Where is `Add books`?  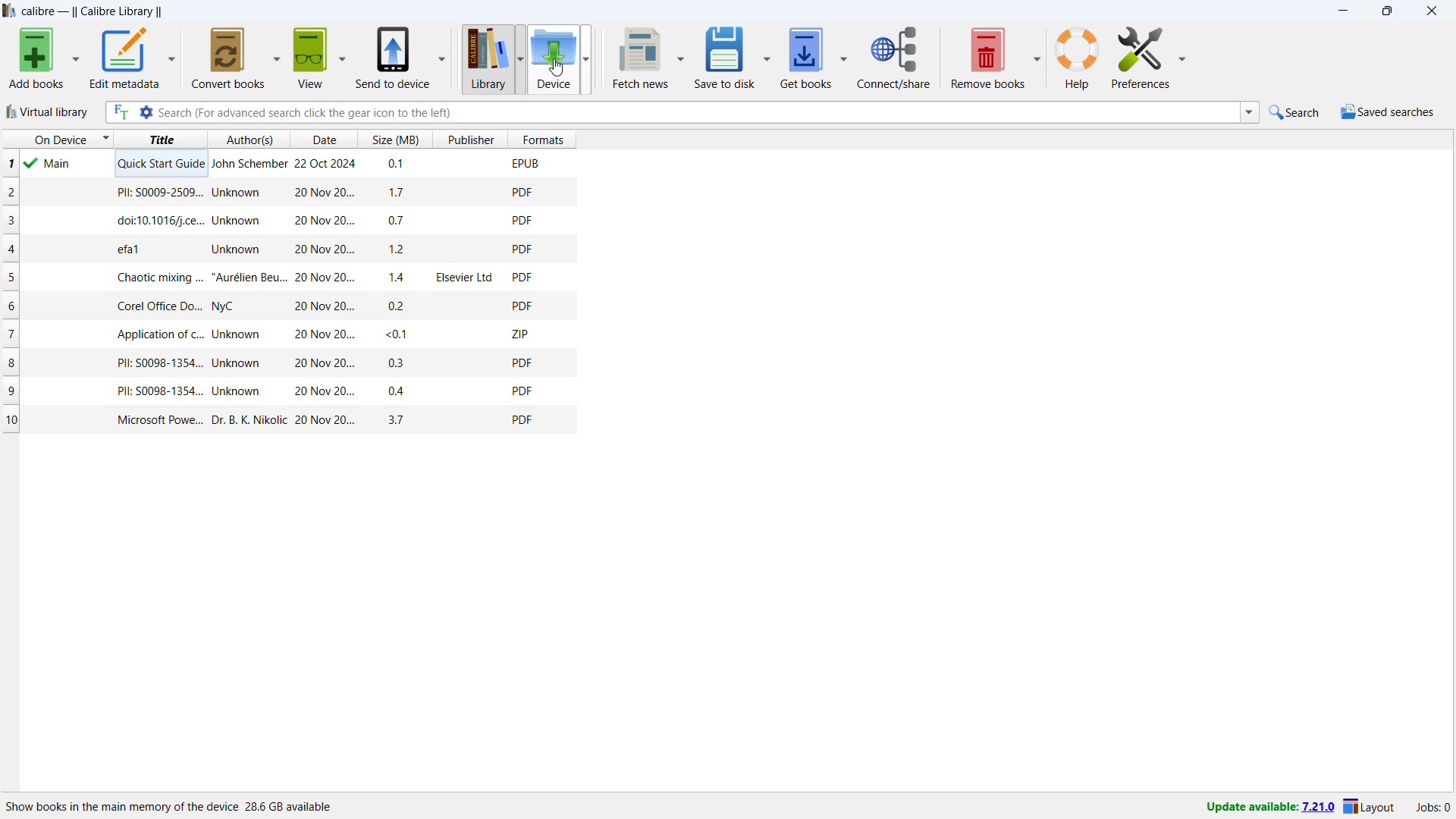 Add books is located at coordinates (35, 59).